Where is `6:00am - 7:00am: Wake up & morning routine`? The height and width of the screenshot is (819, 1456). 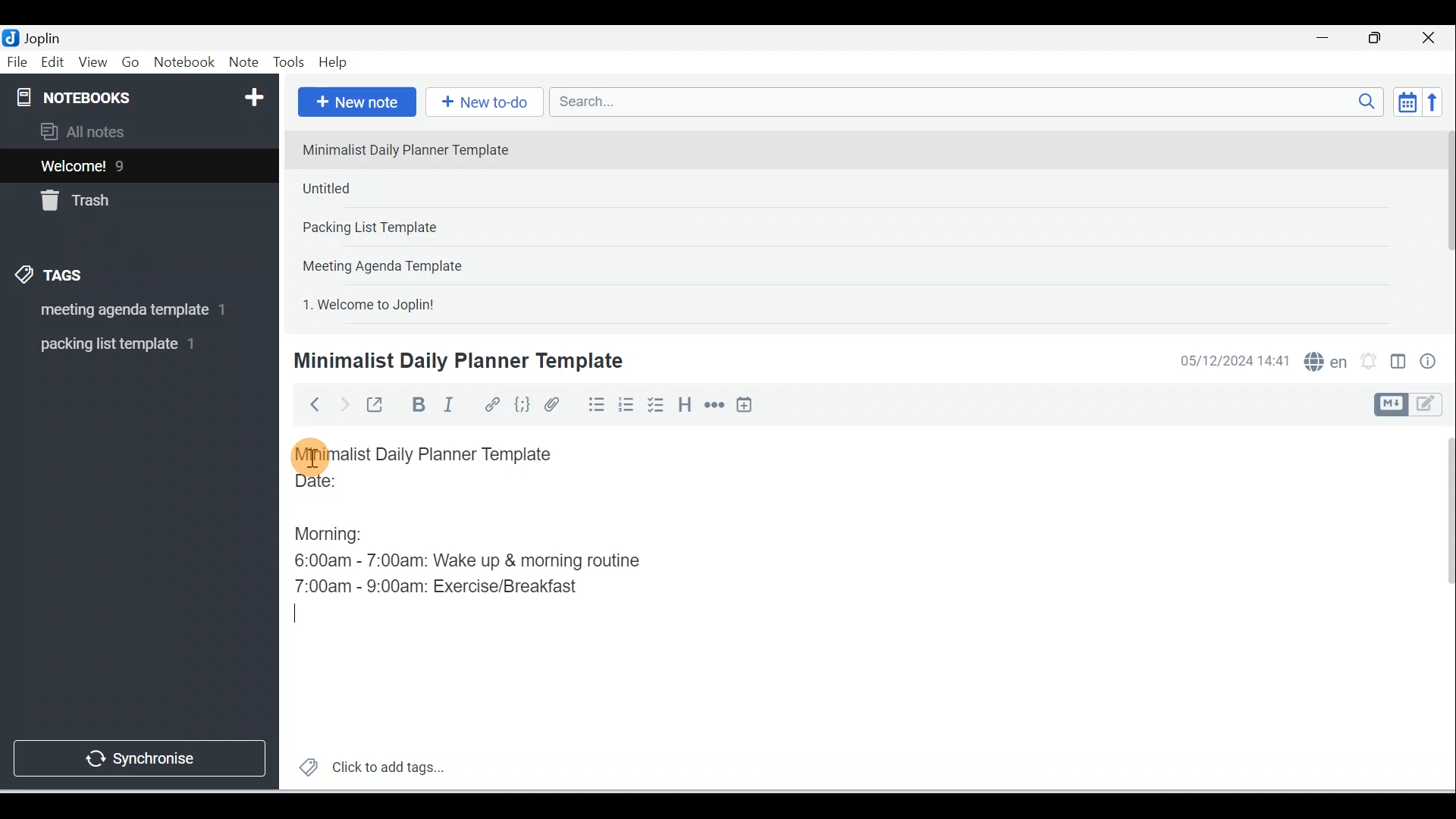 6:00am - 7:00am: Wake up & morning routine is located at coordinates (472, 560).